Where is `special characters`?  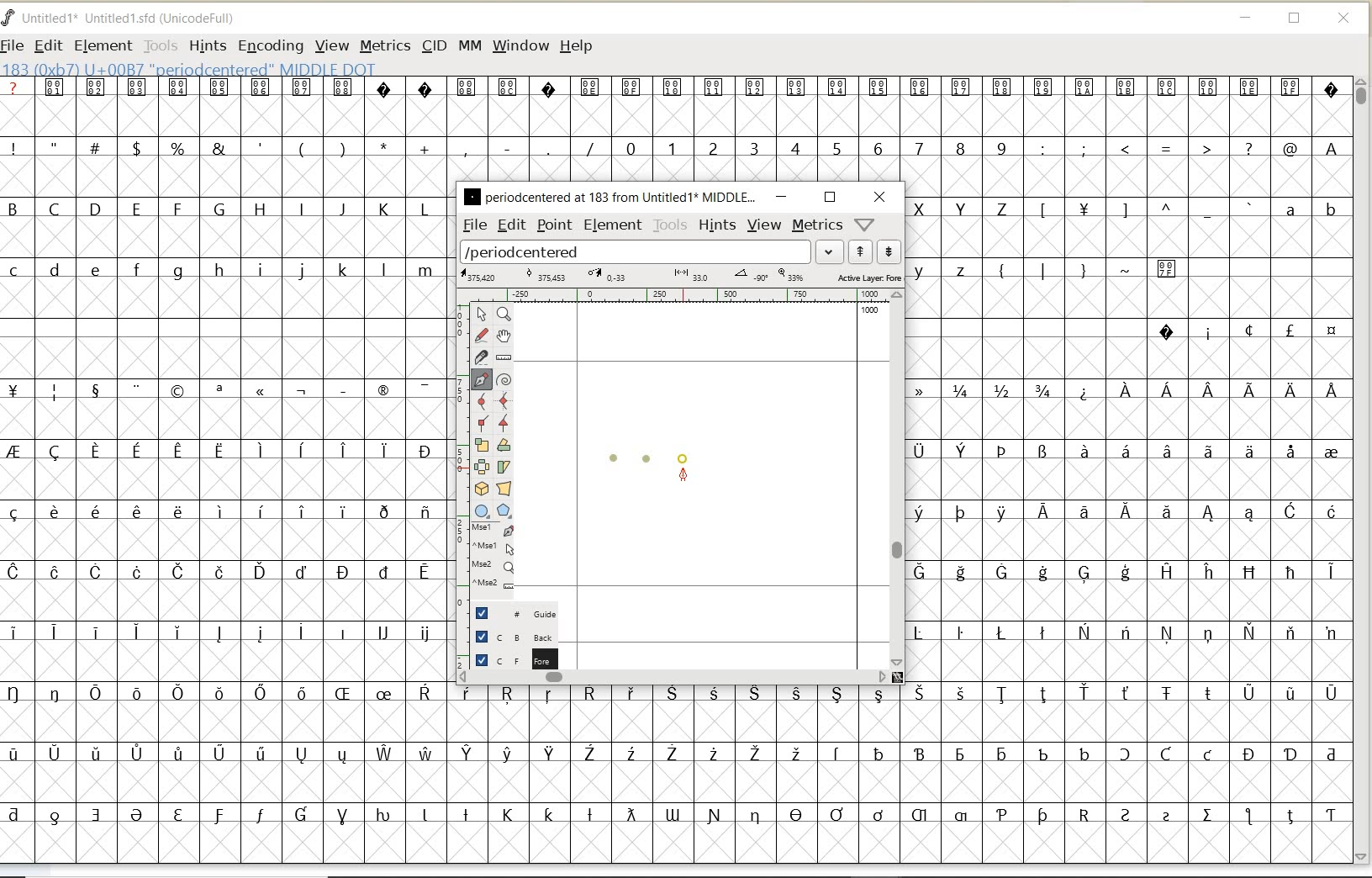
special characters is located at coordinates (1247, 331).